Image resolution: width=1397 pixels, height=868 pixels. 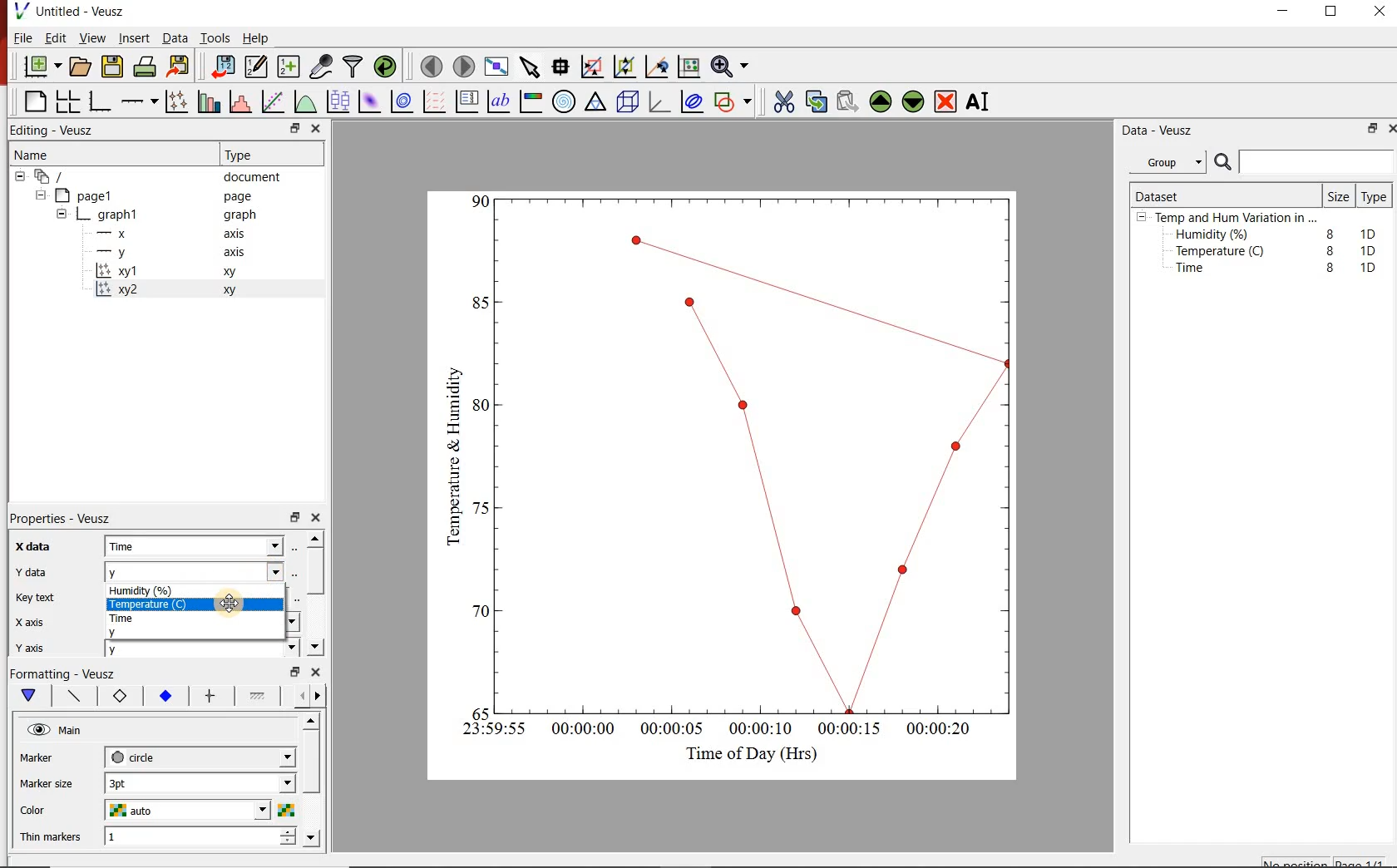 I want to click on x axis, so click(x=40, y=621).